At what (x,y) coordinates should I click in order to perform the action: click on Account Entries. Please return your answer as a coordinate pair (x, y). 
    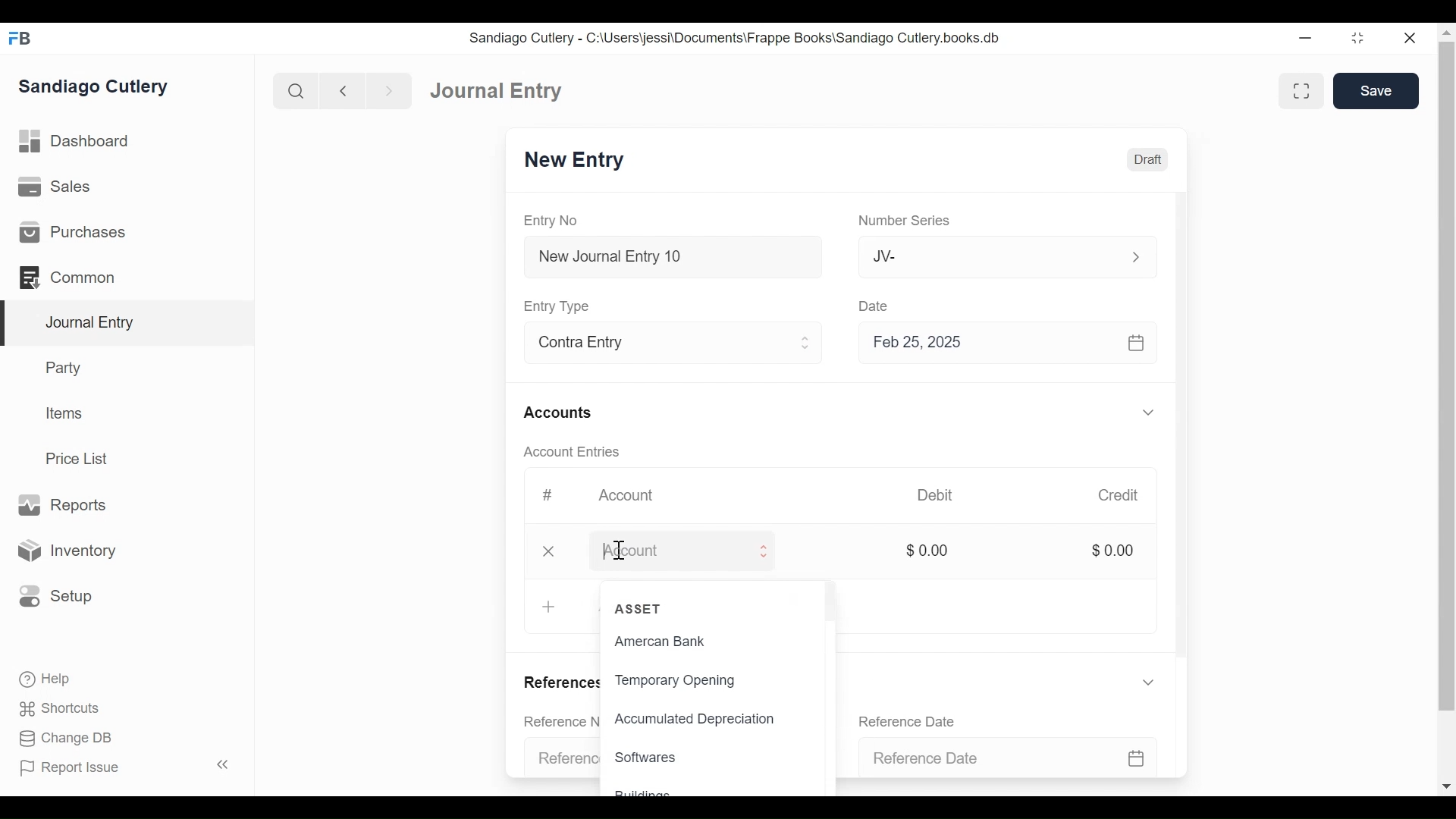
    Looking at the image, I should click on (576, 451).